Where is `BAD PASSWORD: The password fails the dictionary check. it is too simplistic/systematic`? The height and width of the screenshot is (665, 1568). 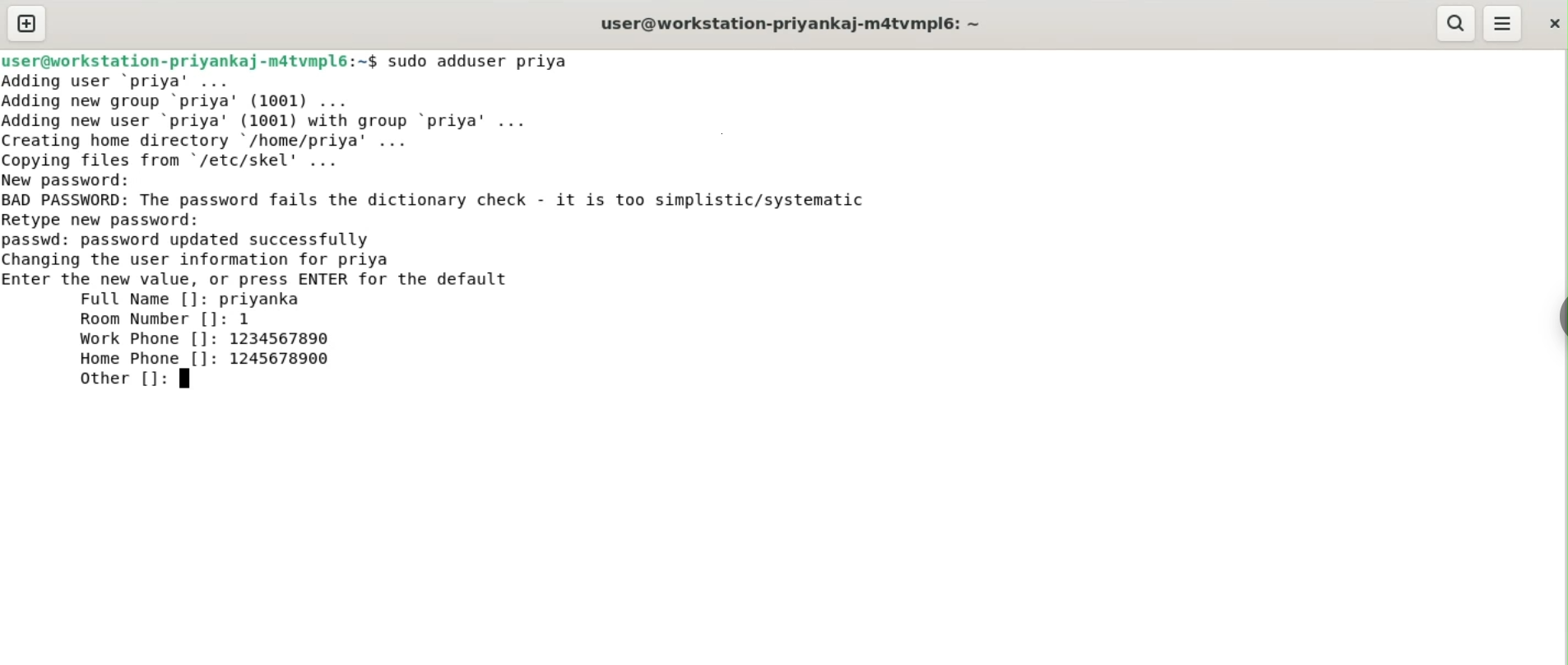
BAD PASSWORD: The password fails the dictionary check. it is too simplistic/systematic is located at coordinates (464, 201).